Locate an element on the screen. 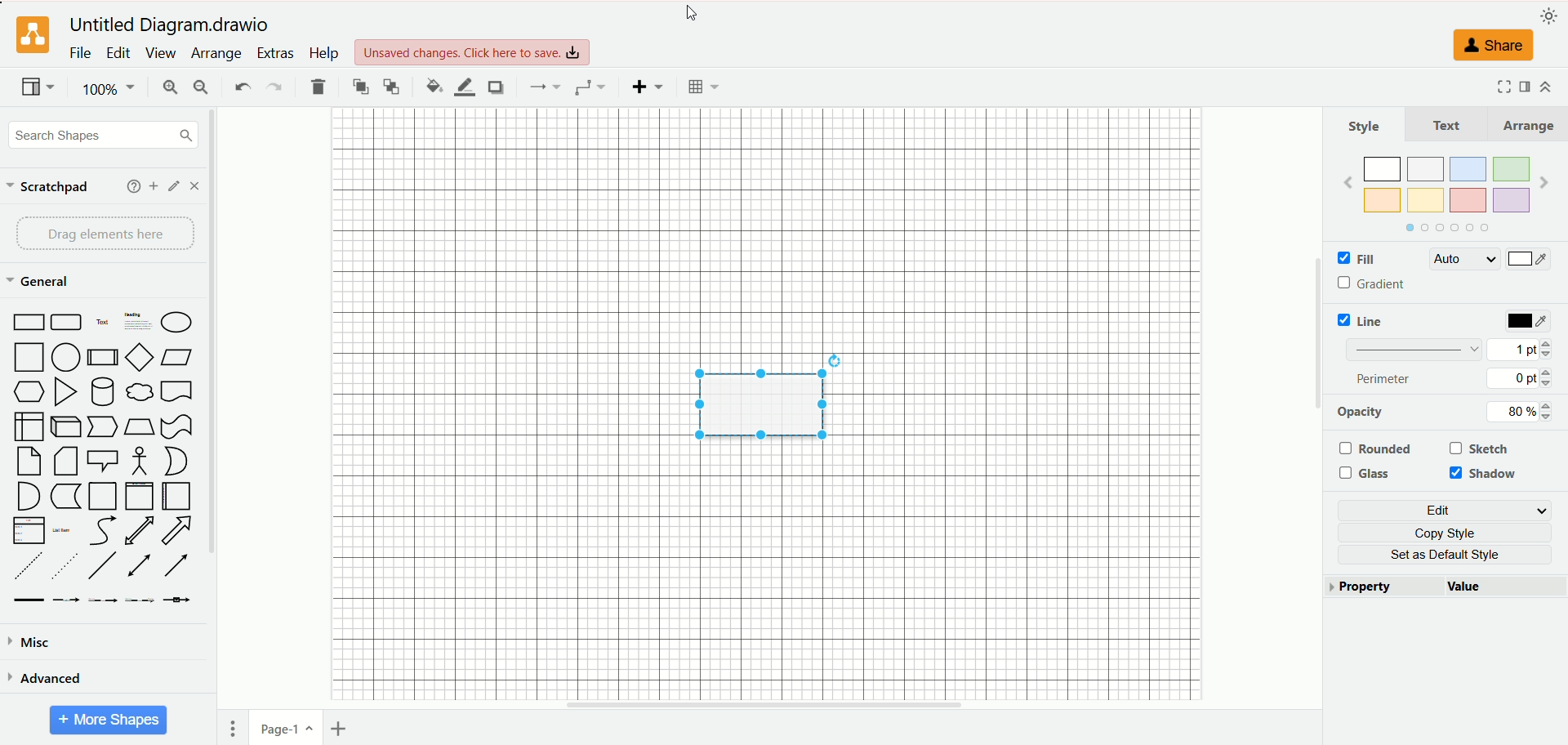 The width and height of the screenshot is (1568, 745). shape is located at coordinates (757, 401).